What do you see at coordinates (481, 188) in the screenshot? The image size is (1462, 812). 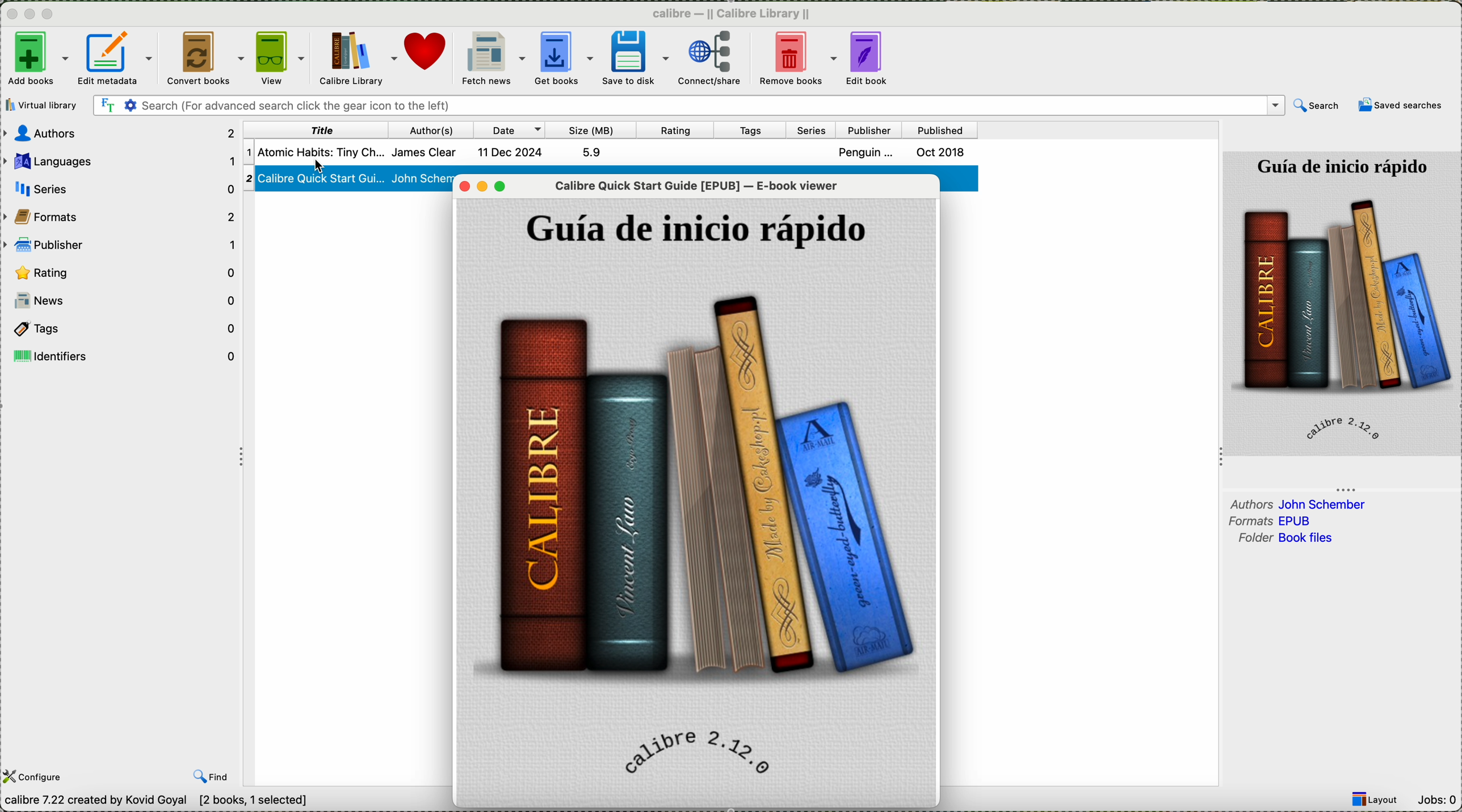 I see `minimize viewer` at bounding box center [481, 188].